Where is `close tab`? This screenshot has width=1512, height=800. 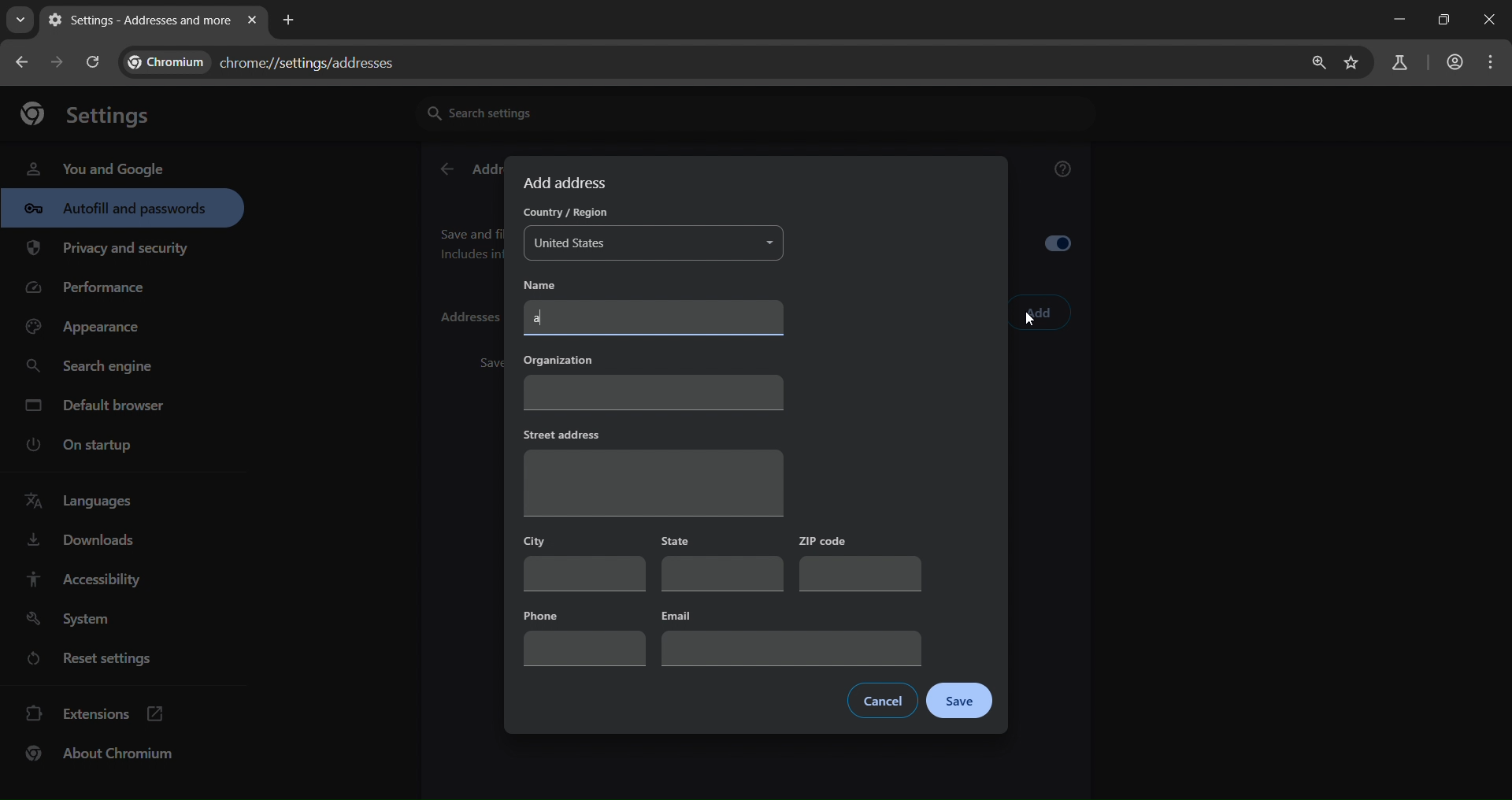
close tab is located at coordinates (252, 21).